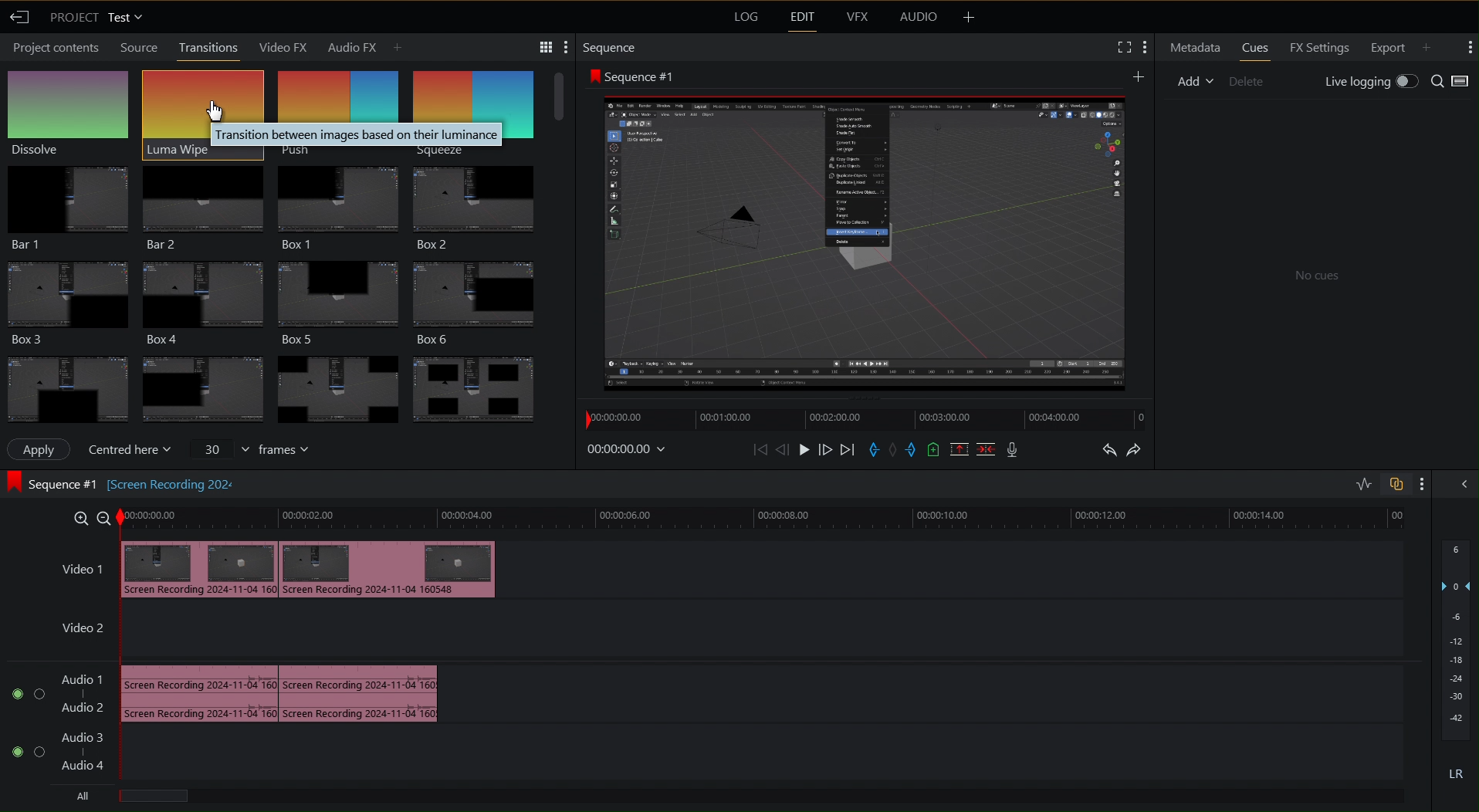 This screenshot has width=1479, height=812. What do you see at coordinates (825, 450) in the screenshot?
I see `Move Forward` at bounding box center [825, 450].